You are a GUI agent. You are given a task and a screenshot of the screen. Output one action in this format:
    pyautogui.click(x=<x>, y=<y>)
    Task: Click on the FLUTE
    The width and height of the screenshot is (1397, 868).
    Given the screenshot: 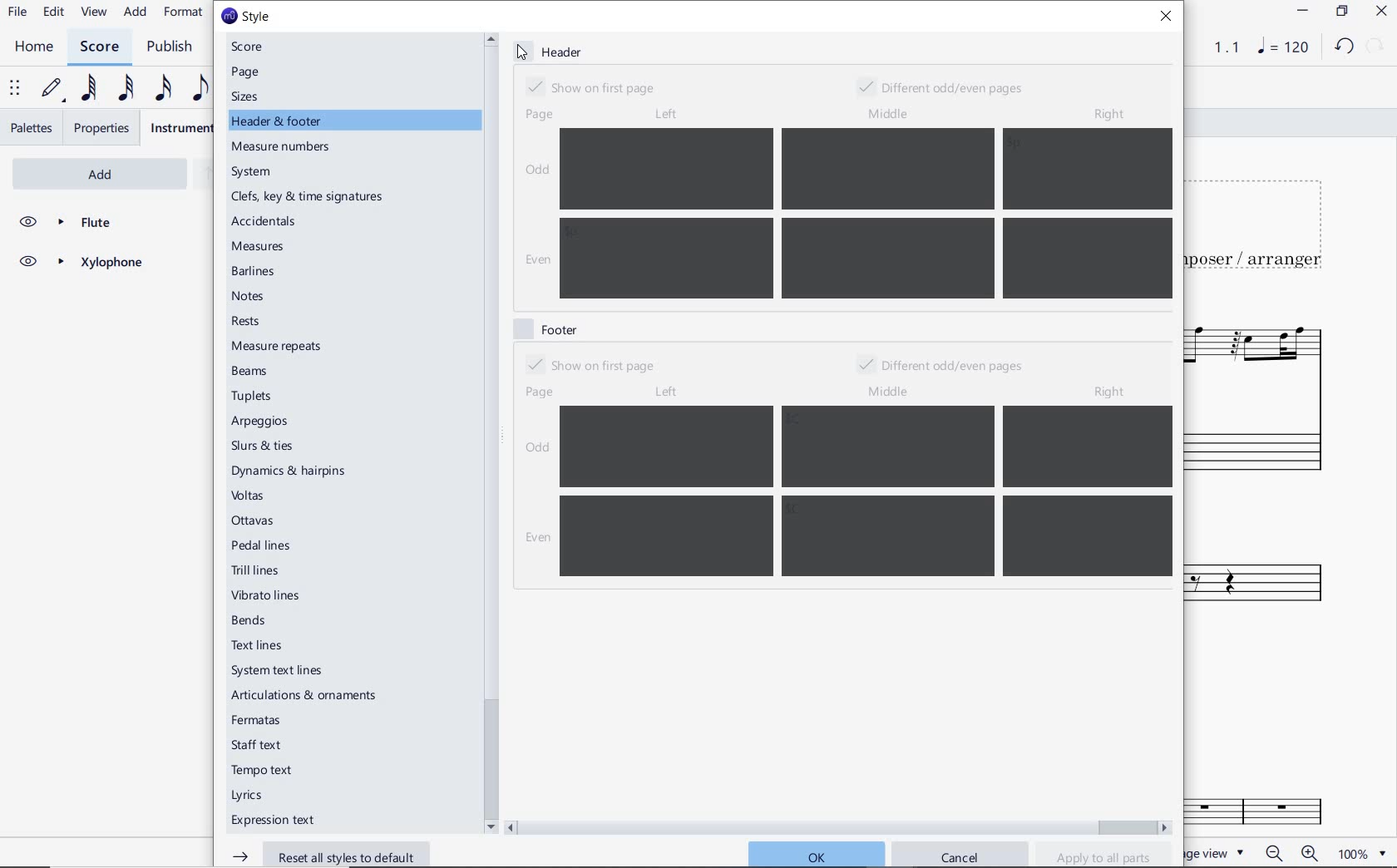 What is the action you would take?
    pyautogui.click(x=1266, y=394)
    